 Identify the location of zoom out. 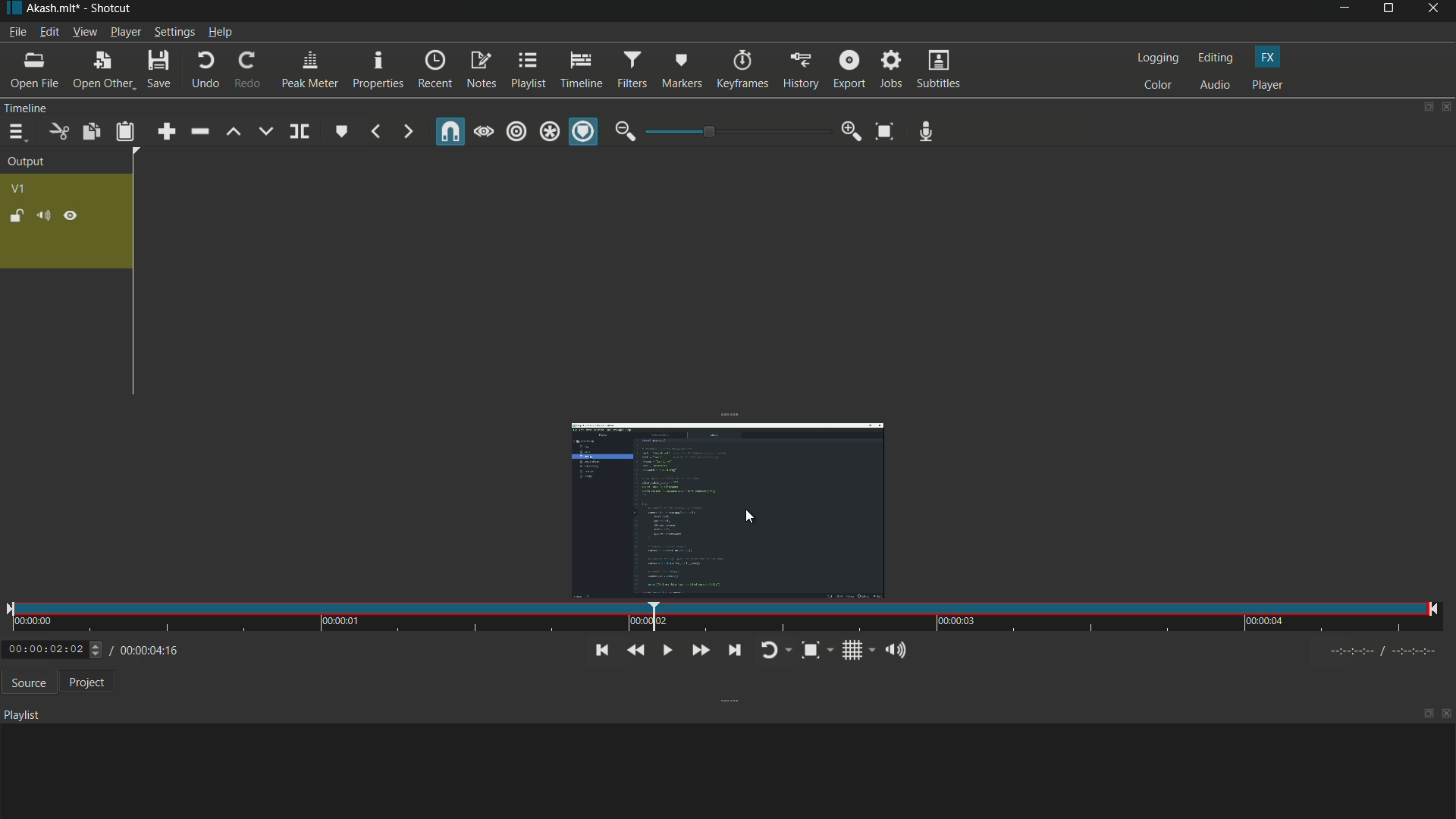
(625, 131).